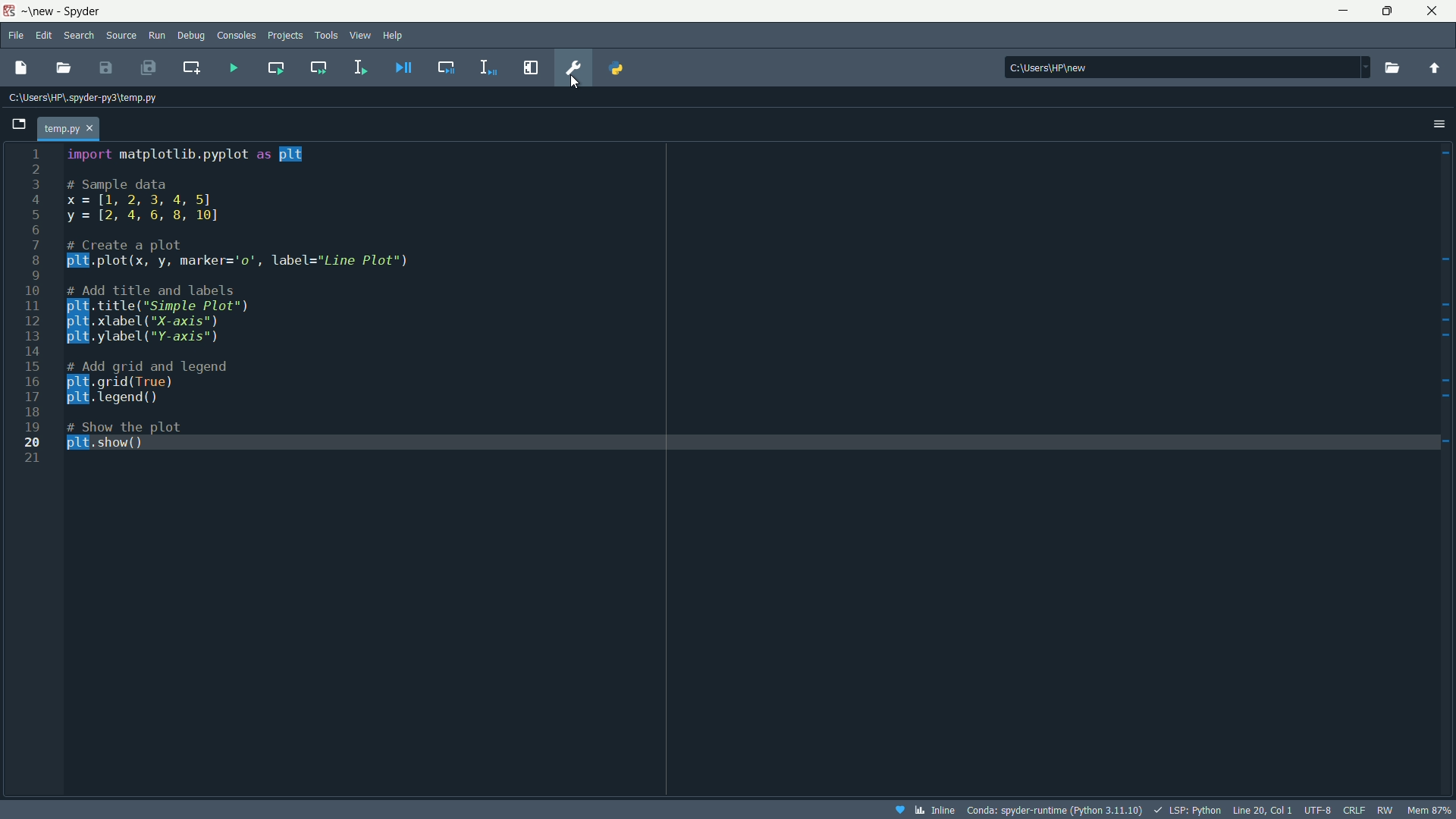 The height and width of the screenshot is (819, 1456). I want to click on inline, so click(923, 810).